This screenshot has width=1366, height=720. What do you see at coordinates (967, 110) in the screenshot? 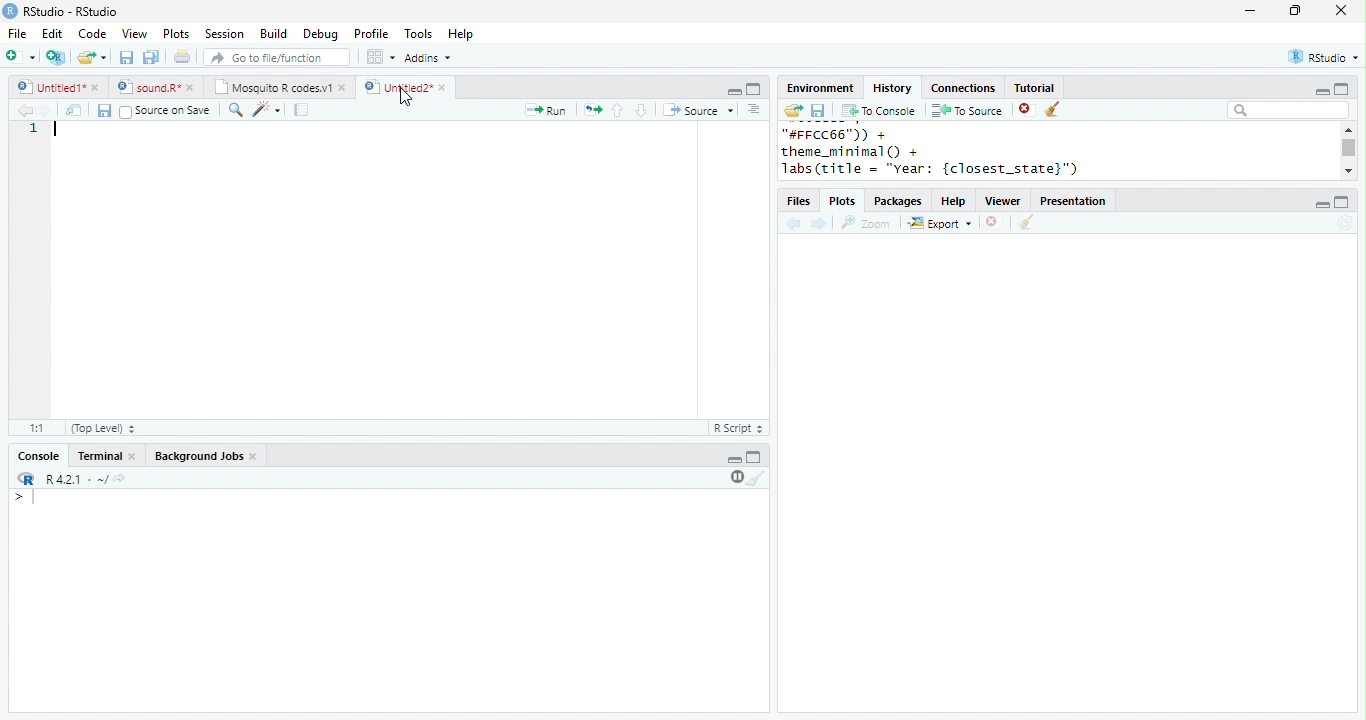
I see `To Source` at bounding box center [967, 110].